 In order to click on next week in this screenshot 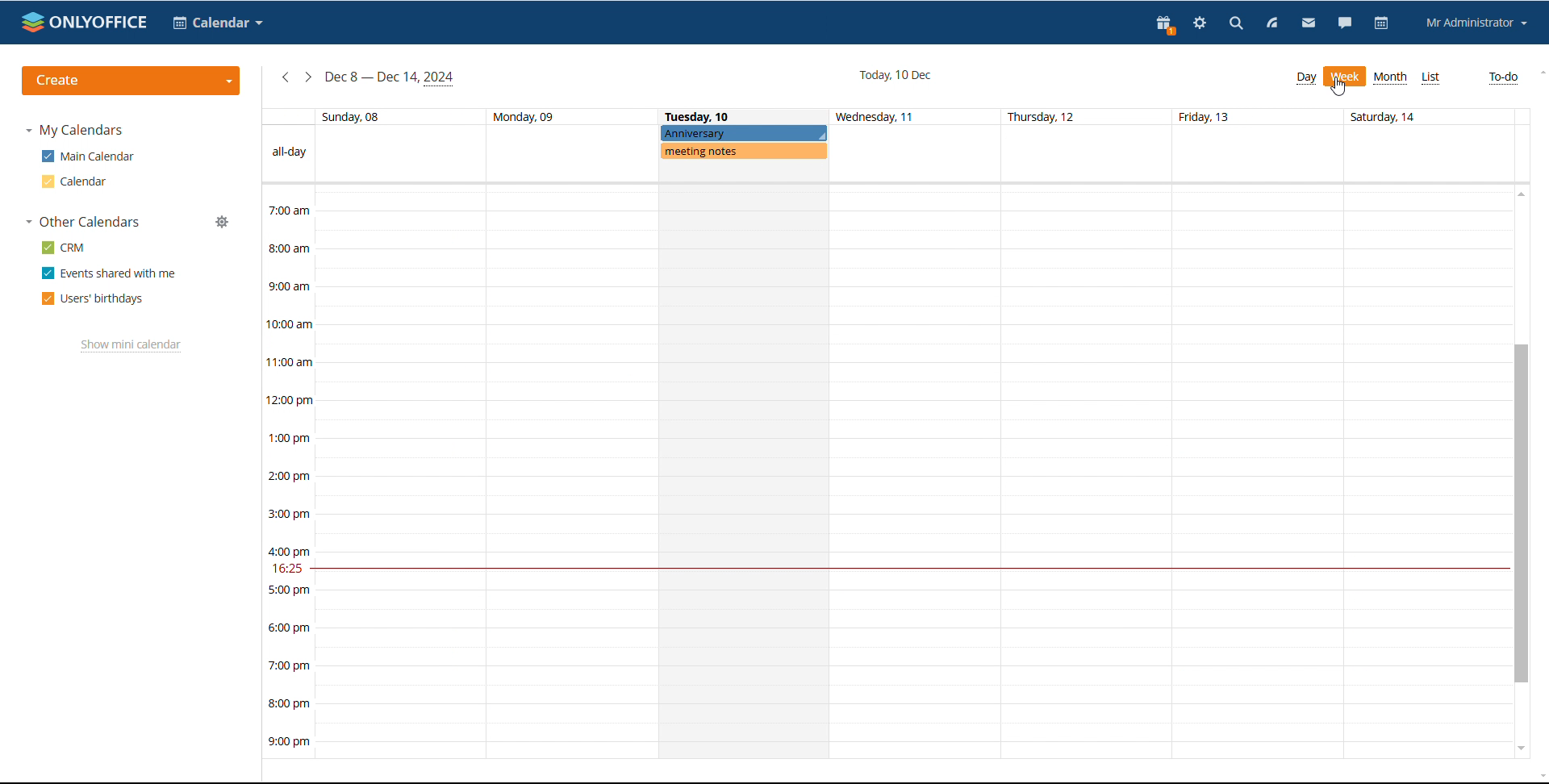, I will do `click(308, 76)`.